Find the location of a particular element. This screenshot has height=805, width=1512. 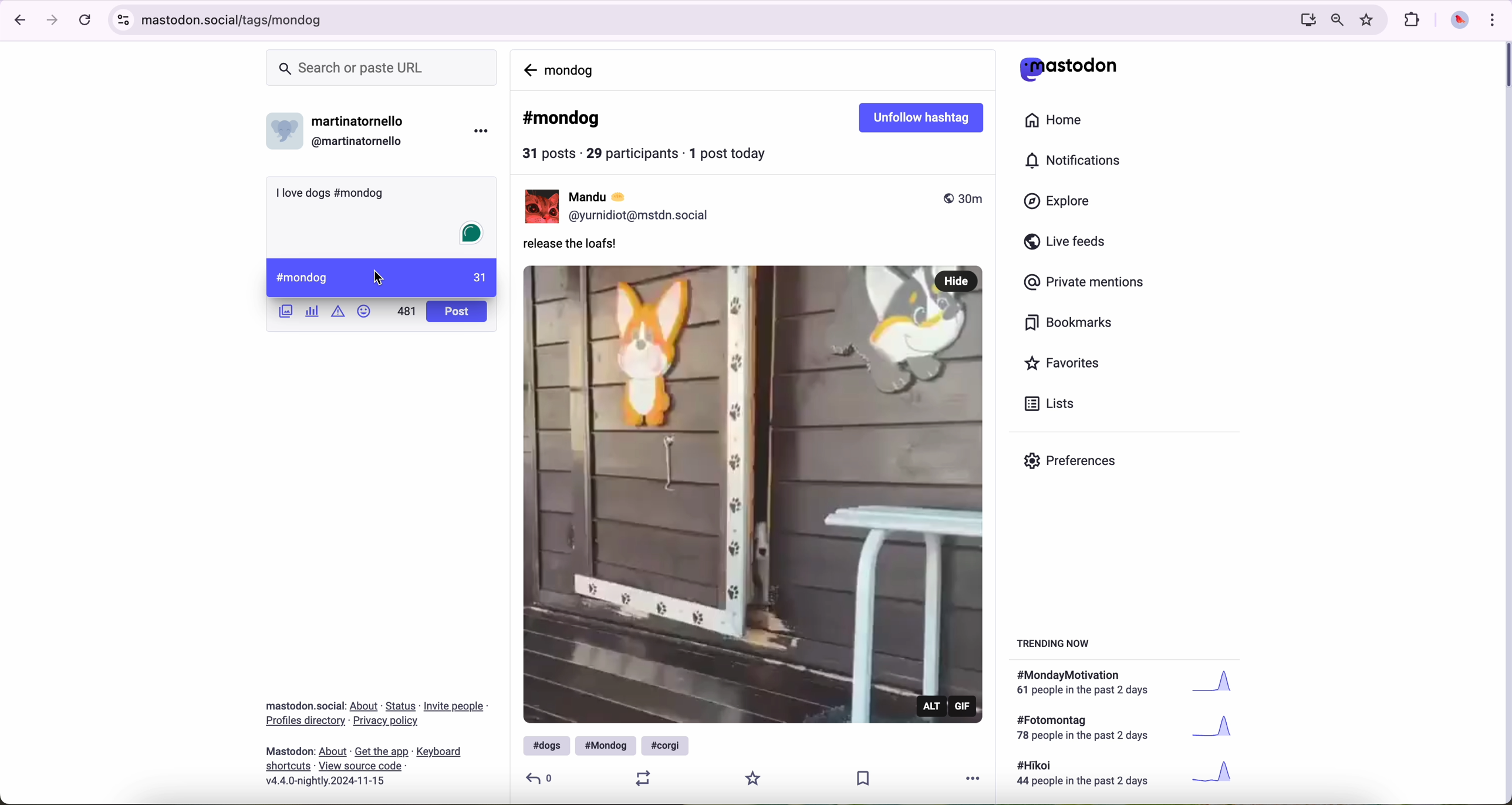

post button is located at coordinates (457, 311).